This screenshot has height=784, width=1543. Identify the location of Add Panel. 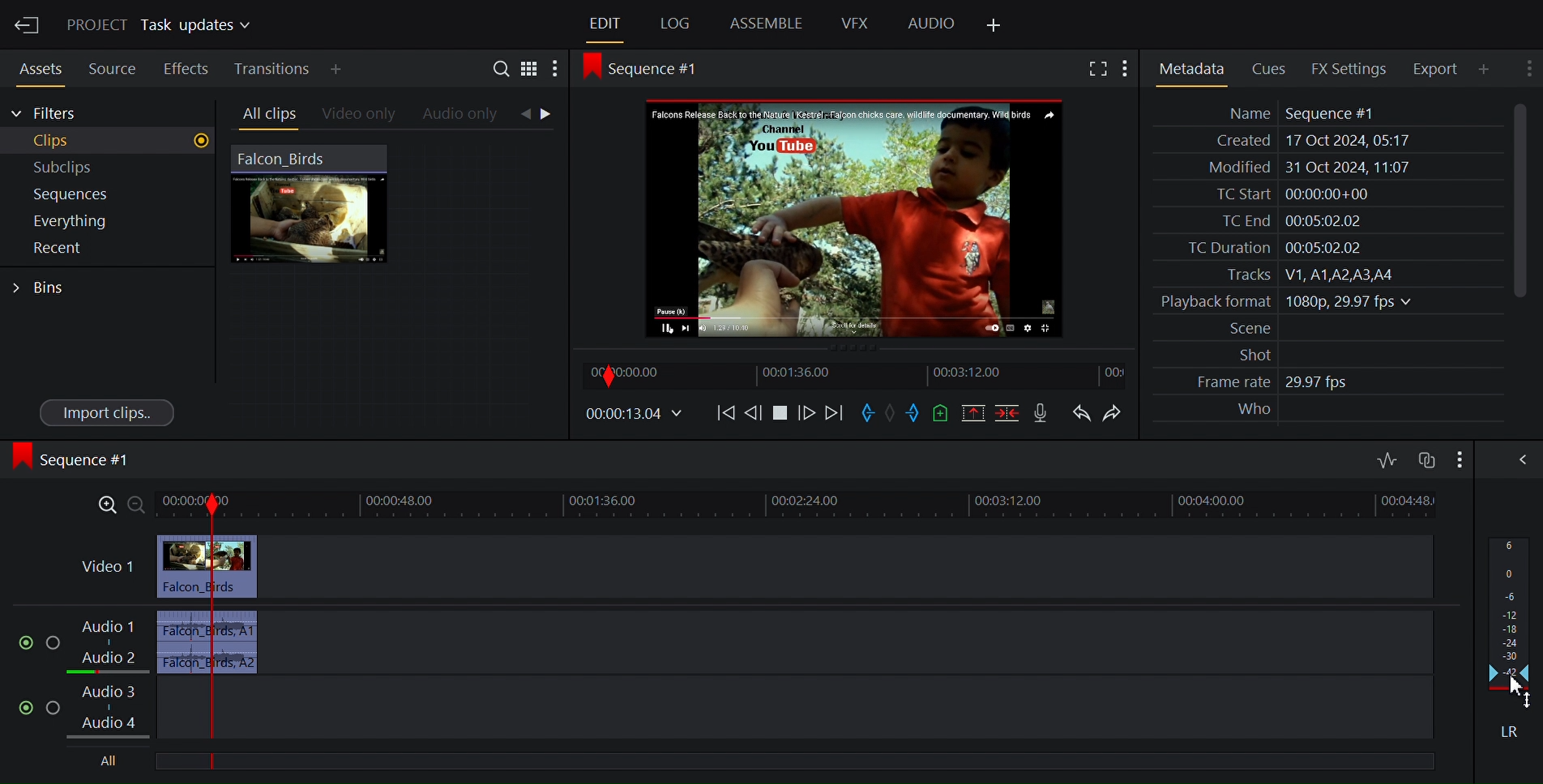
(998, 23).